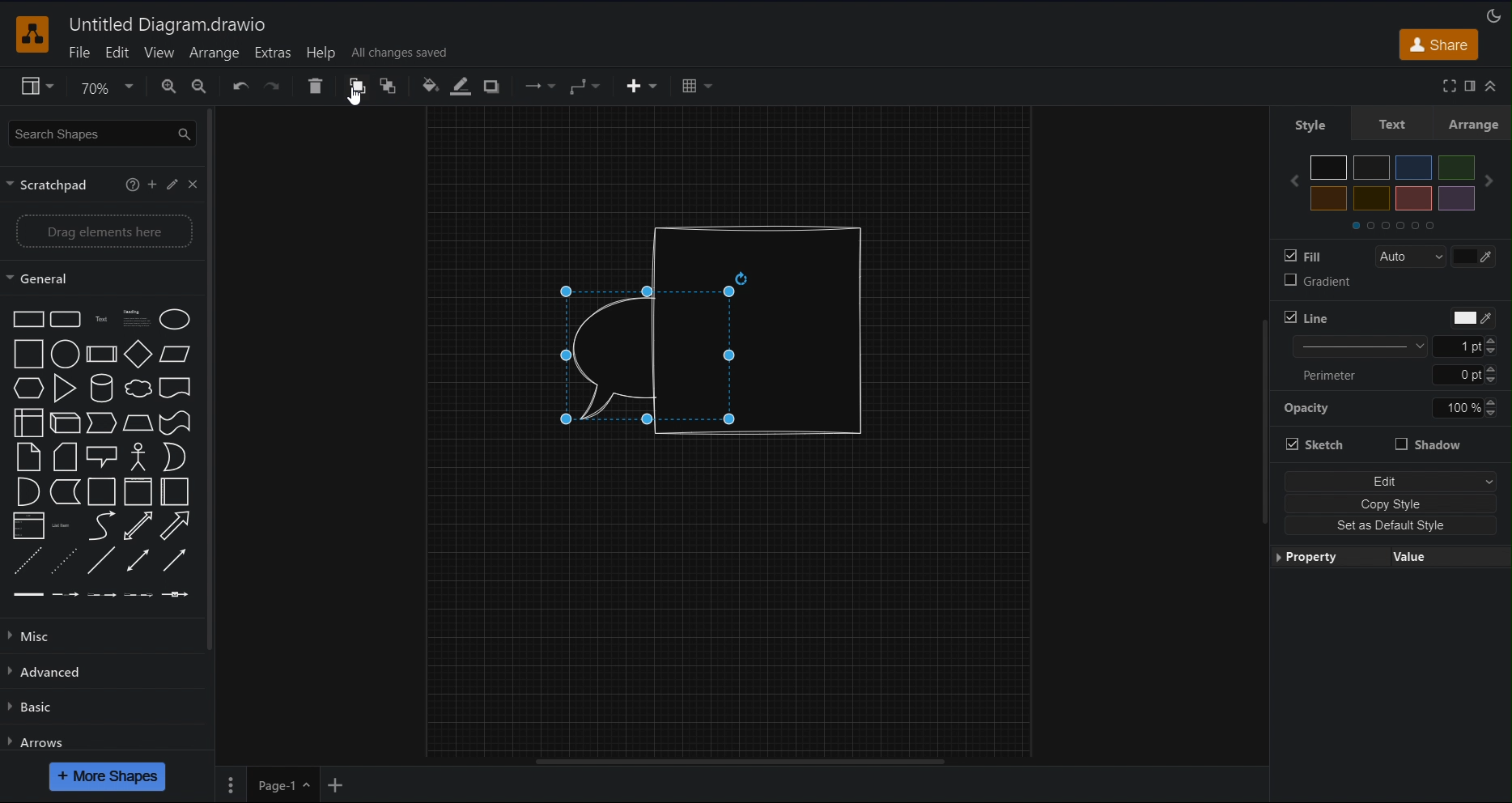 This screenshot has height=803, width=1512. I want to click on Cursor, so click(354, 96).